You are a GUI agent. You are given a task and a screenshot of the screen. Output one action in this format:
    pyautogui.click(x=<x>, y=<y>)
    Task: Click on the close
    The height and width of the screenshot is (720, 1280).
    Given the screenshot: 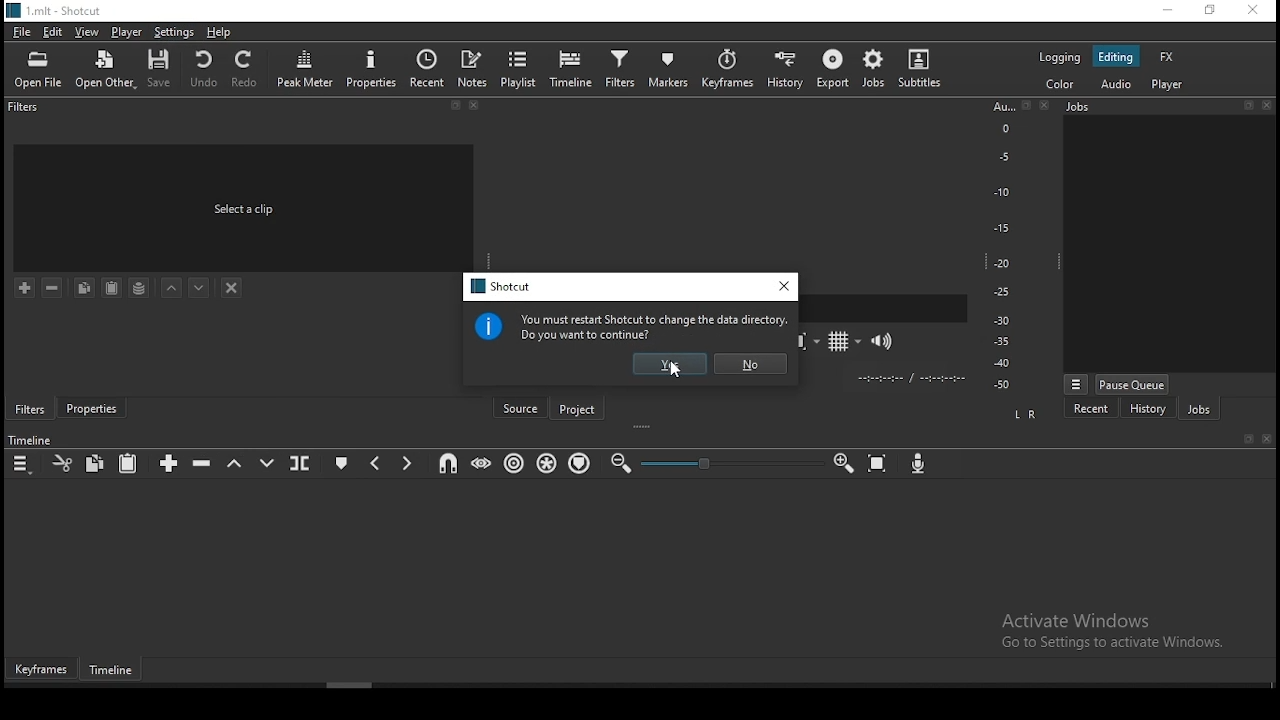 What is the action you would take?
    pyautogui.click(x=1049, y=106)
    